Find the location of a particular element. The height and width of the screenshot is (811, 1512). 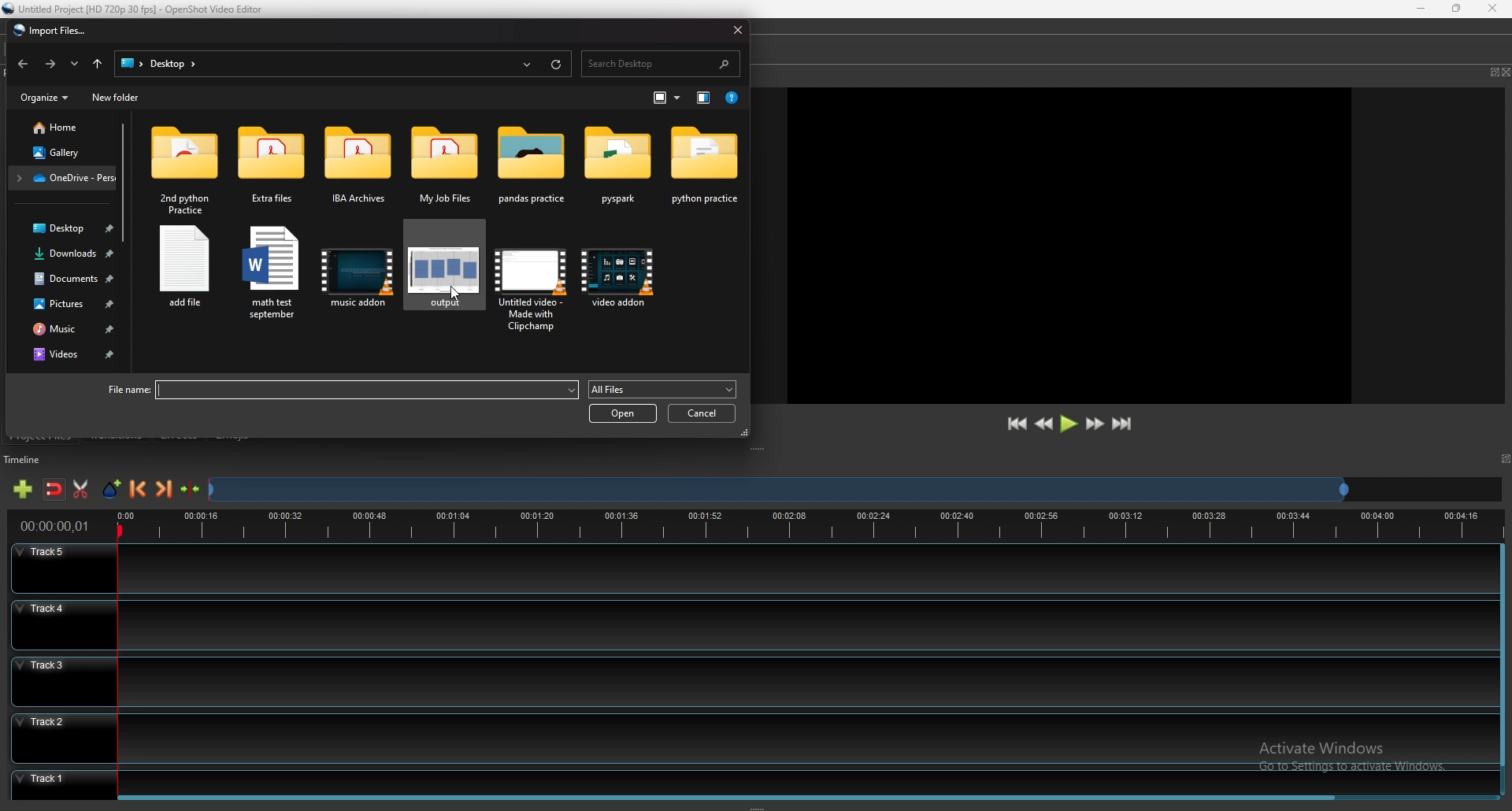

track 2 is located at coordinates (750, 737).